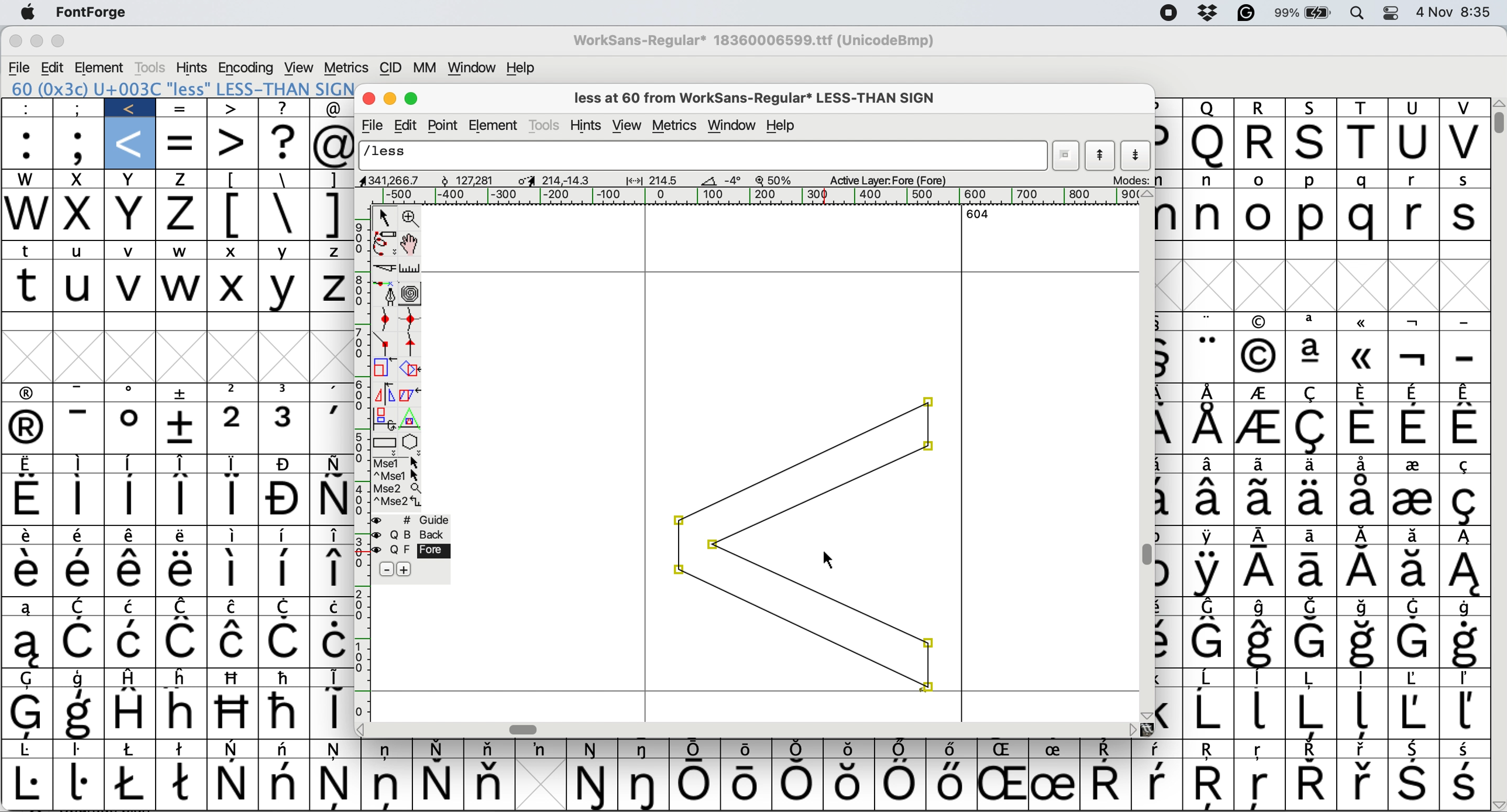 The image size is (1507, 812). What do you see at coordinates (384, 270) in the screenshot?
I see `cut splines in two` at bounding box center [384, 270].